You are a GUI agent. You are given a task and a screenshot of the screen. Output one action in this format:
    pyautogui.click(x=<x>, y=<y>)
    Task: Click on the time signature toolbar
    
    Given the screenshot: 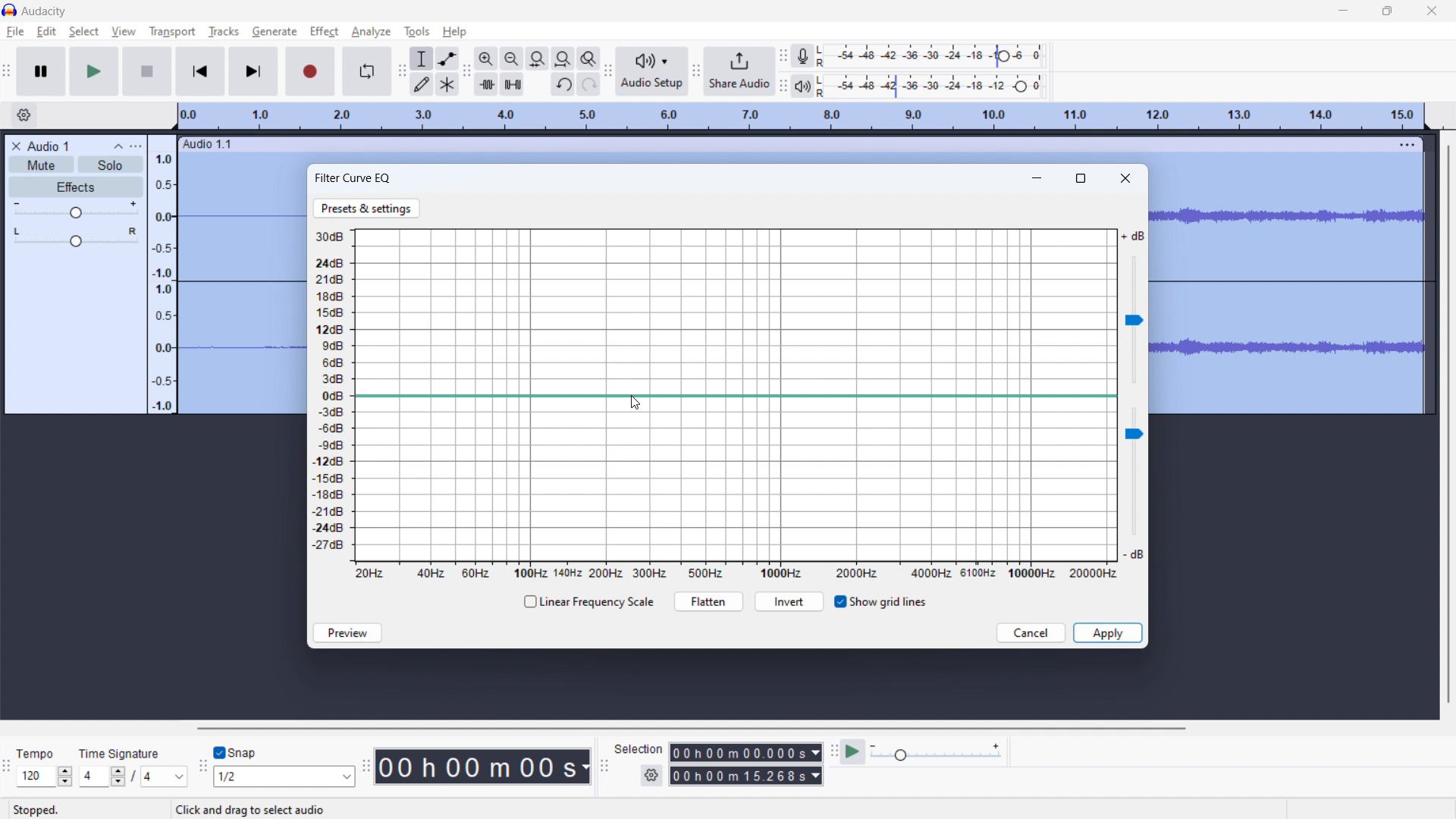 What is the action you would take?
    pyautogui.click(x=7, y=767)
    